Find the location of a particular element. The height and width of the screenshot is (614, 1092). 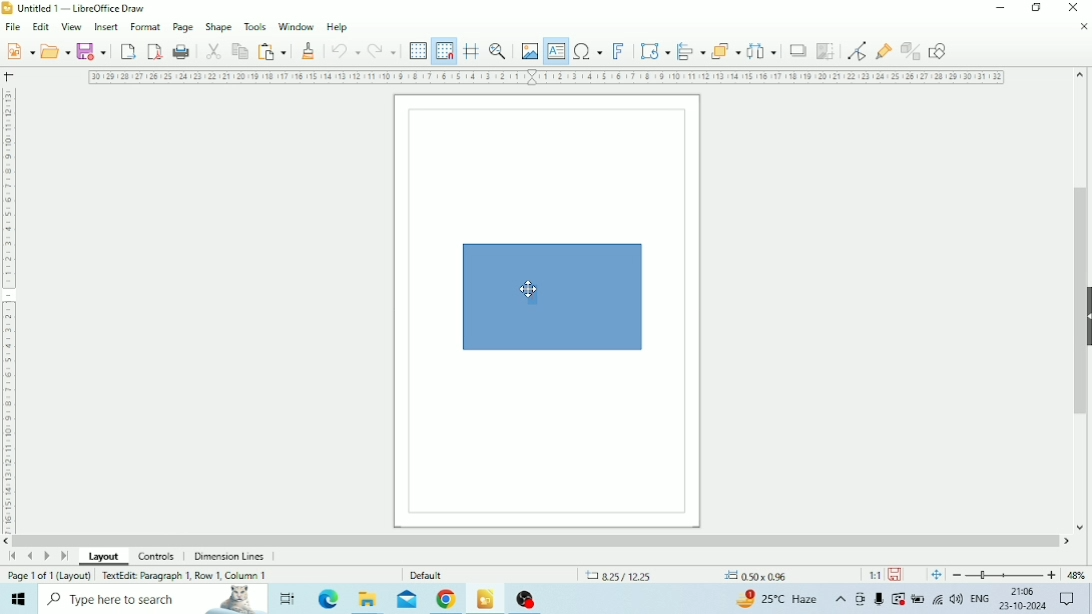

Save is located at coordinates (92, 52).